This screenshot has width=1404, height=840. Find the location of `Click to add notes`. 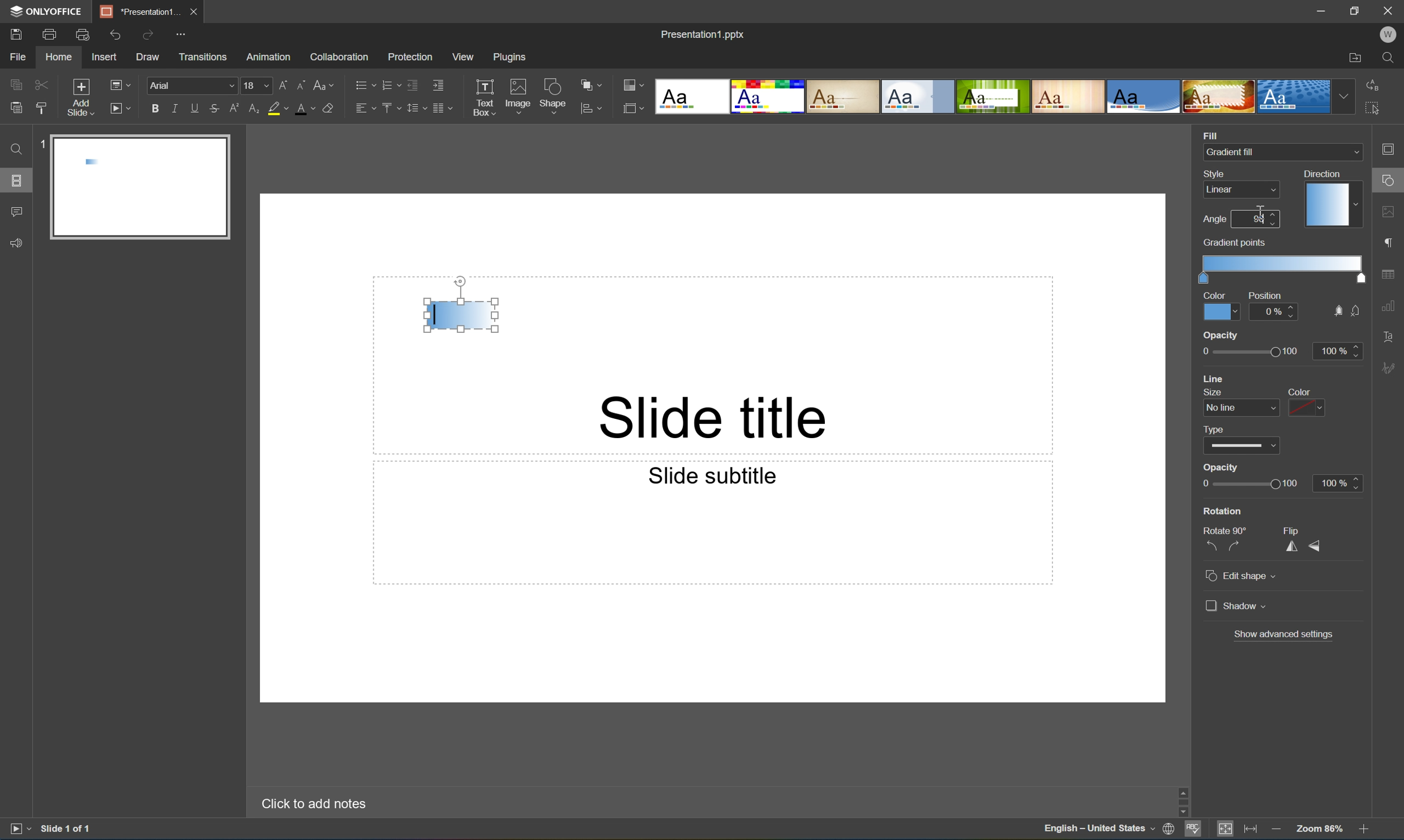

Click to add notes is located at coordinates (311, 802).